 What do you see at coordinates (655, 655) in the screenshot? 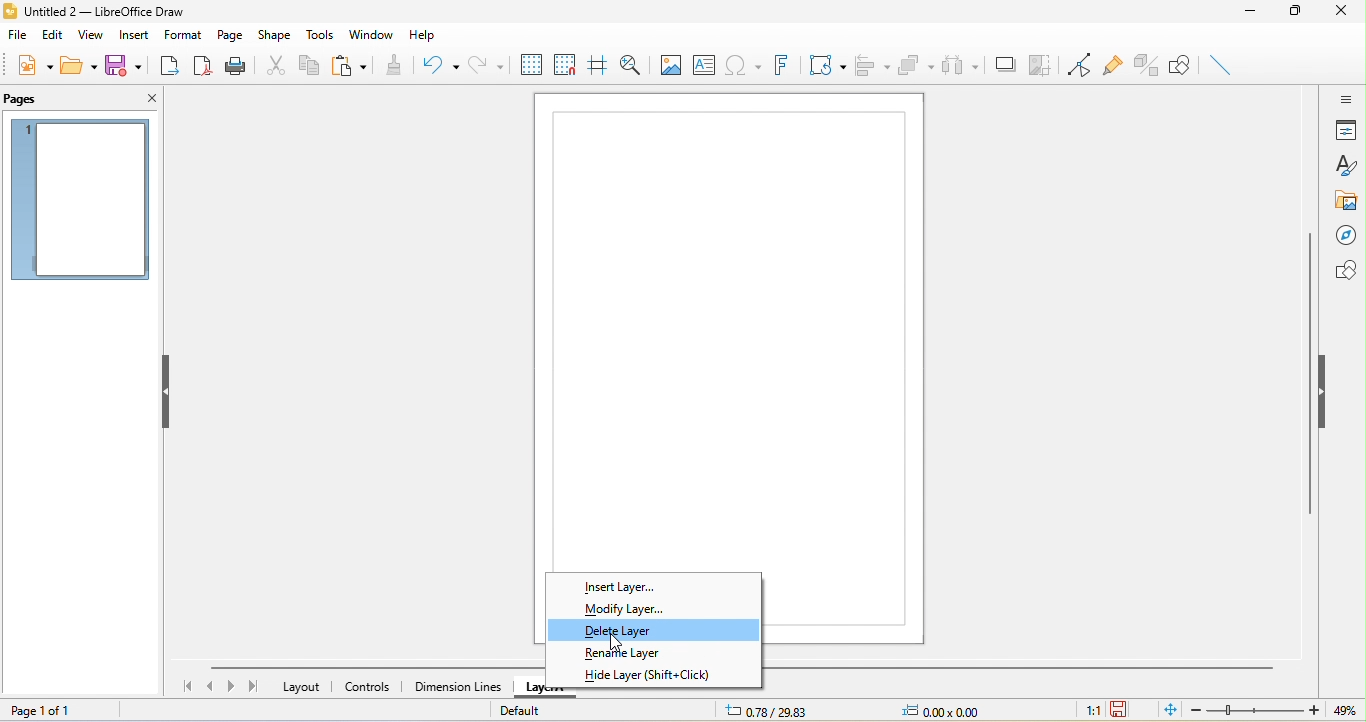
I see `rename layer` at bounding box center [655, 655].